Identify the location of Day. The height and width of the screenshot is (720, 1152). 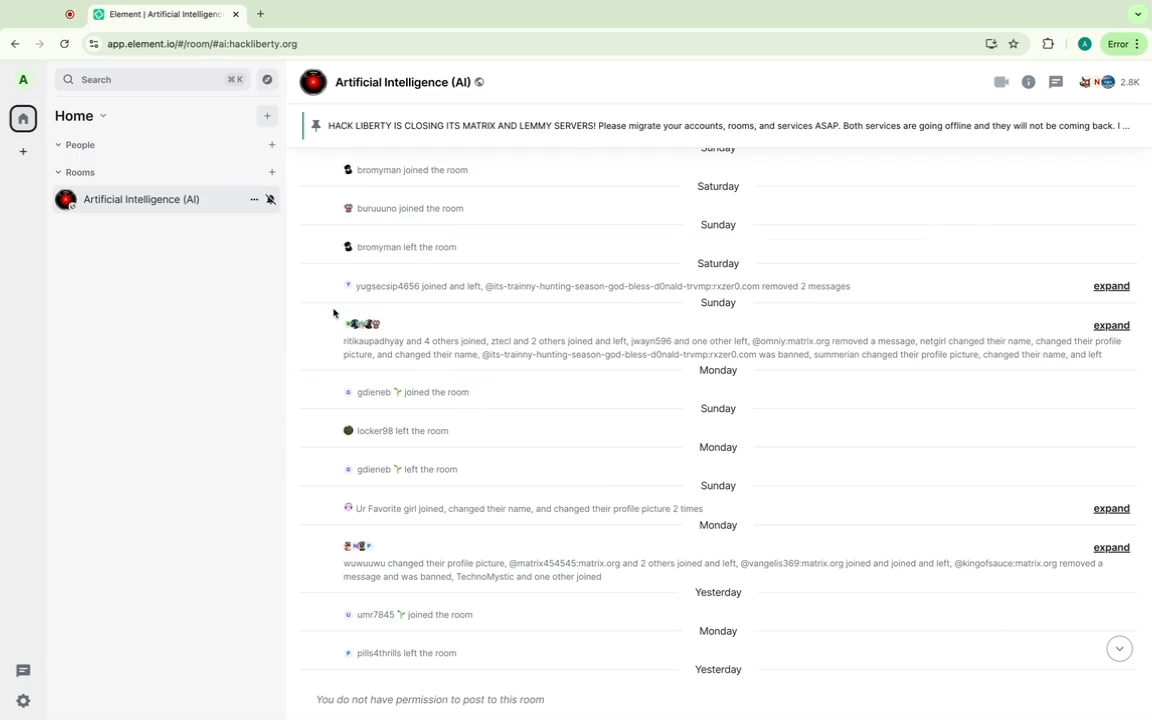
(717, 672).